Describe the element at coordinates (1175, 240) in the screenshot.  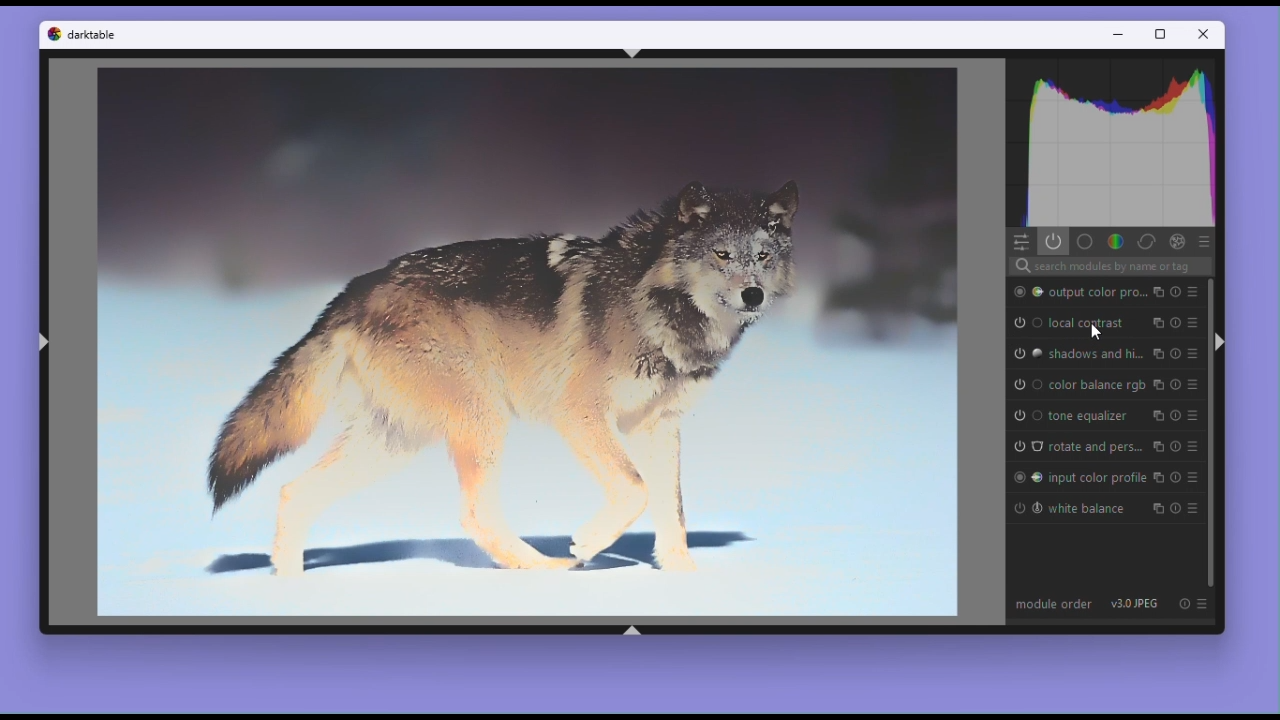
I see `Effect` at that location.